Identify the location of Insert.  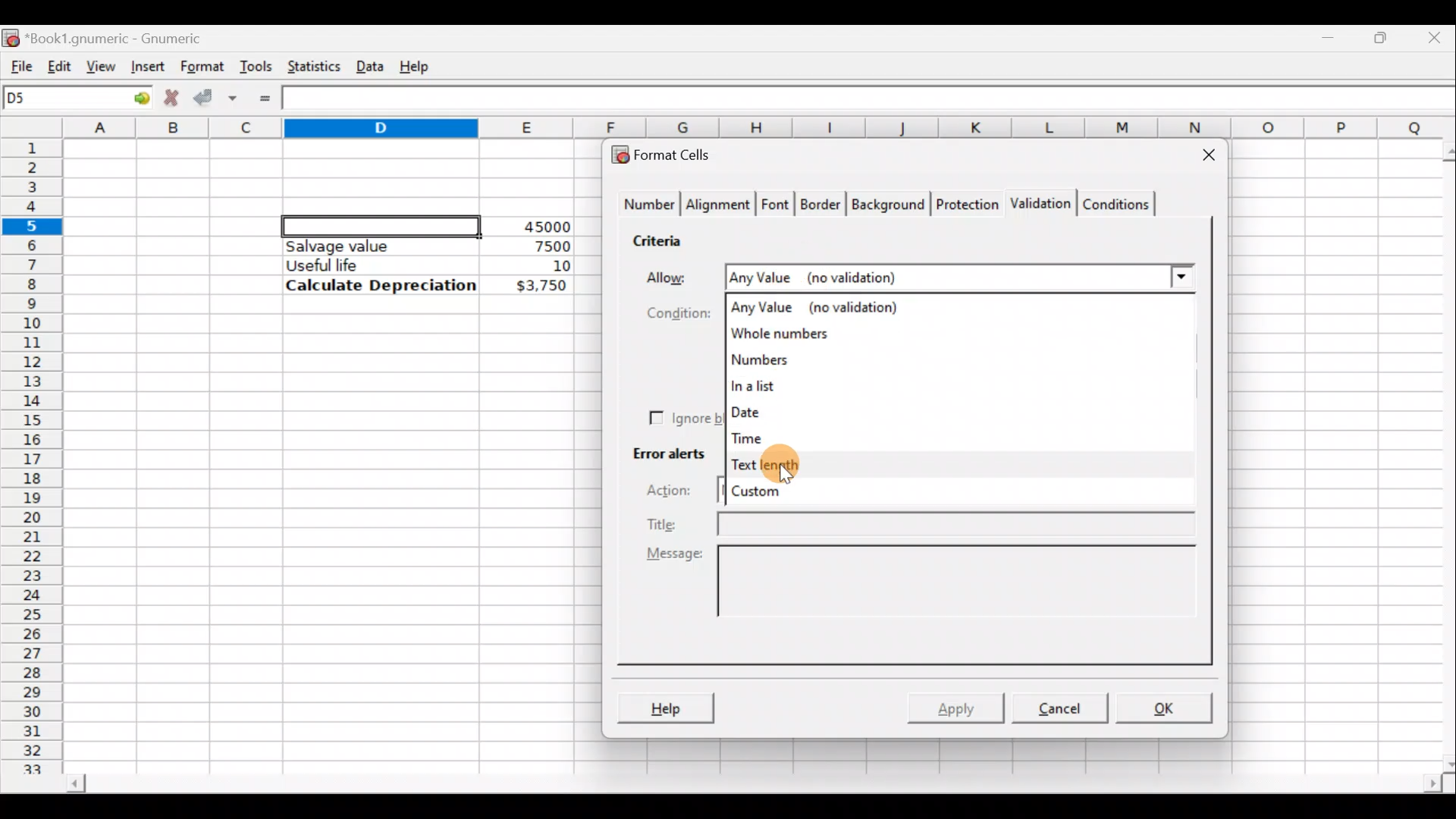
(146, 66).